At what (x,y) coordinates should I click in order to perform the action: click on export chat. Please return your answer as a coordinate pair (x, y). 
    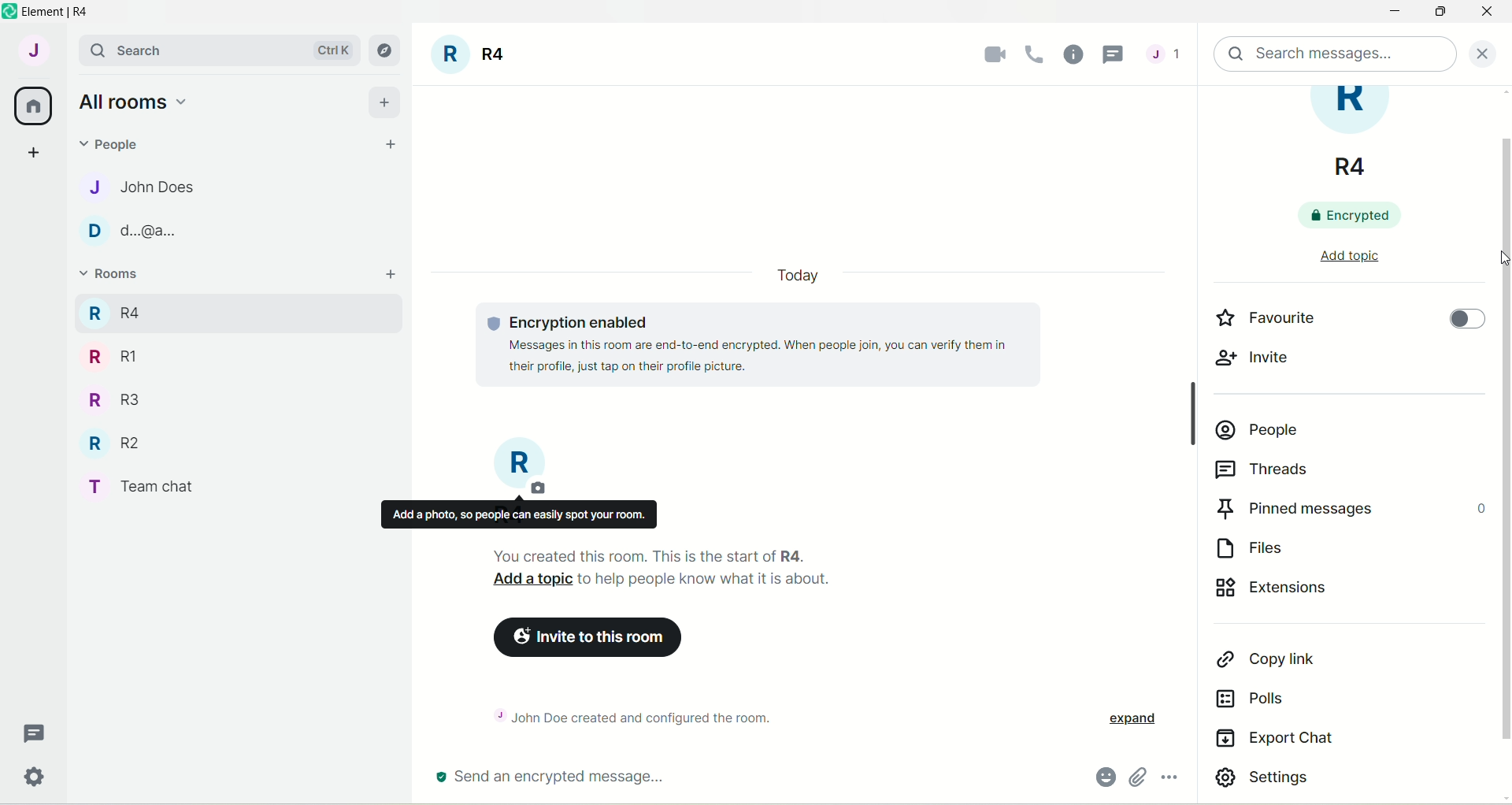
    Looking at the image, I should click on (1275, 741).